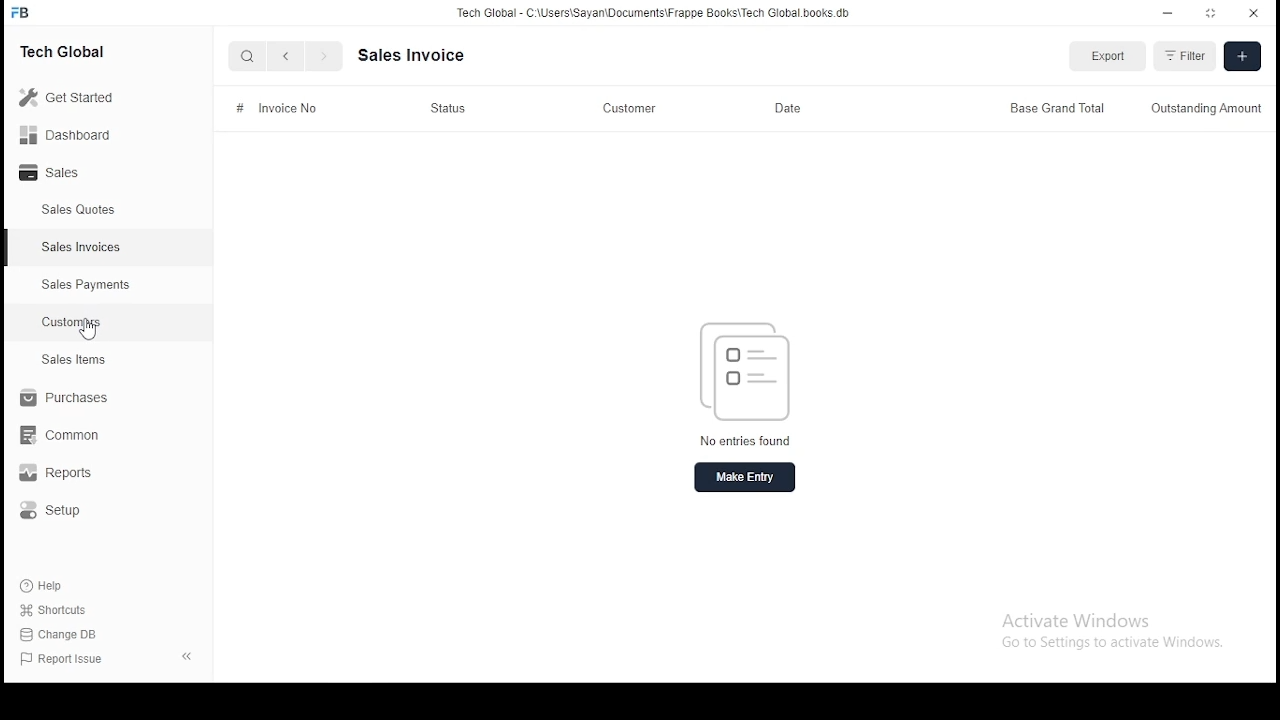  I want to click on #, so click(240, 107).